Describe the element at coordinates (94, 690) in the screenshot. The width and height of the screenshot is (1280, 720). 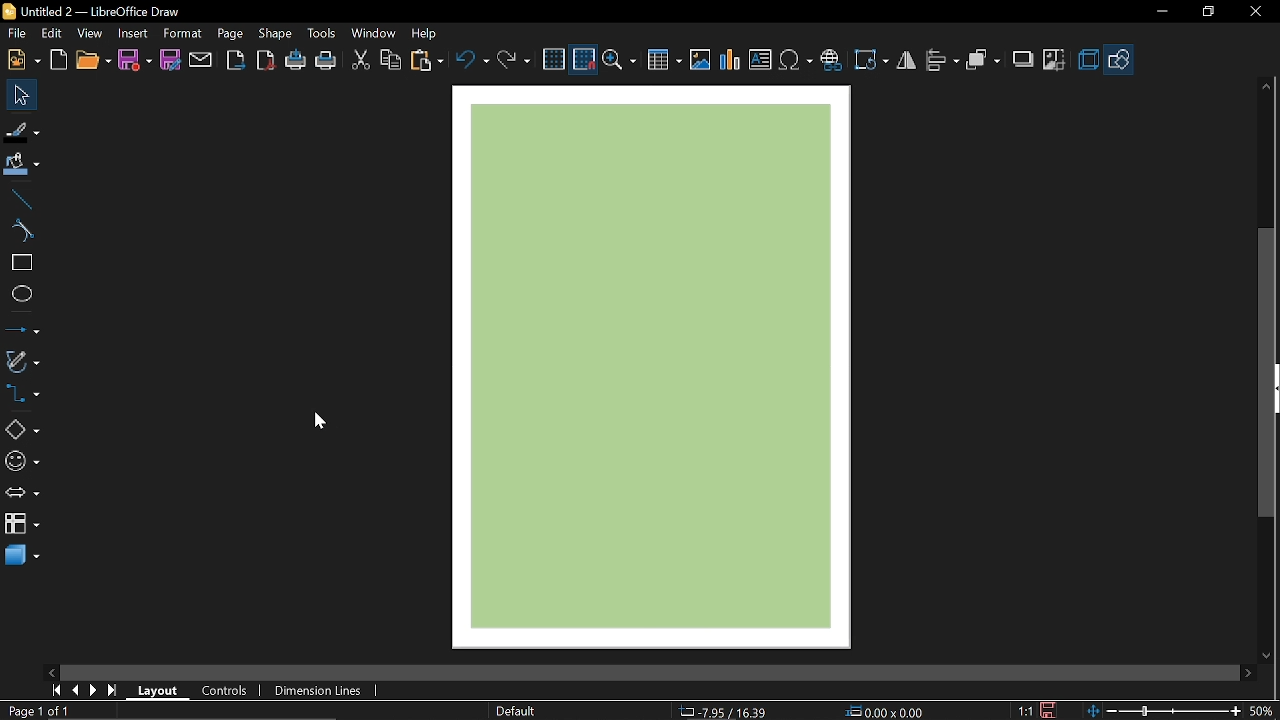
I see `Next page` at that location.